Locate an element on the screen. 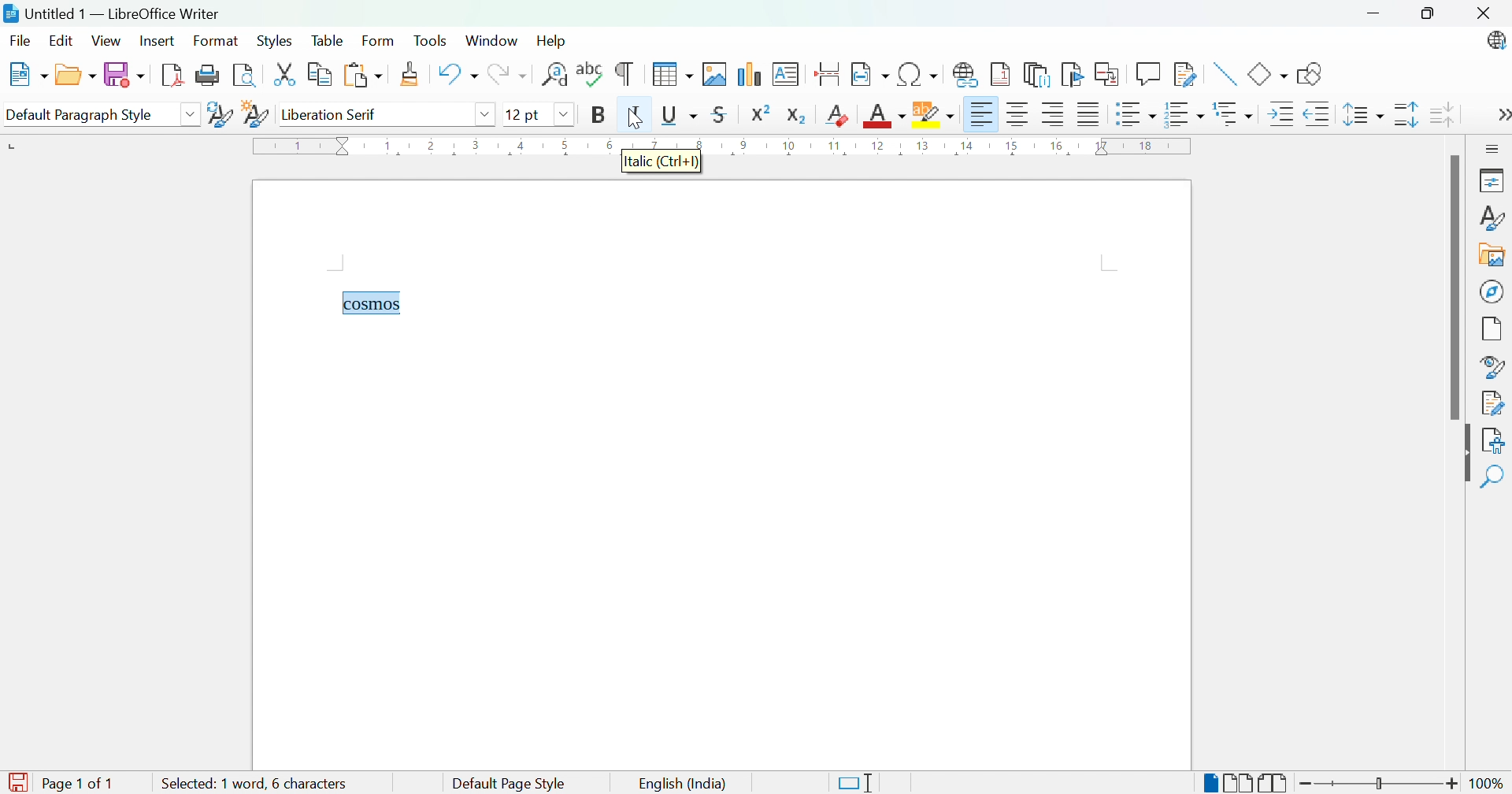 This screenshot has height=794, width=1512. Default Page Style is located at coordinates (513, 784).